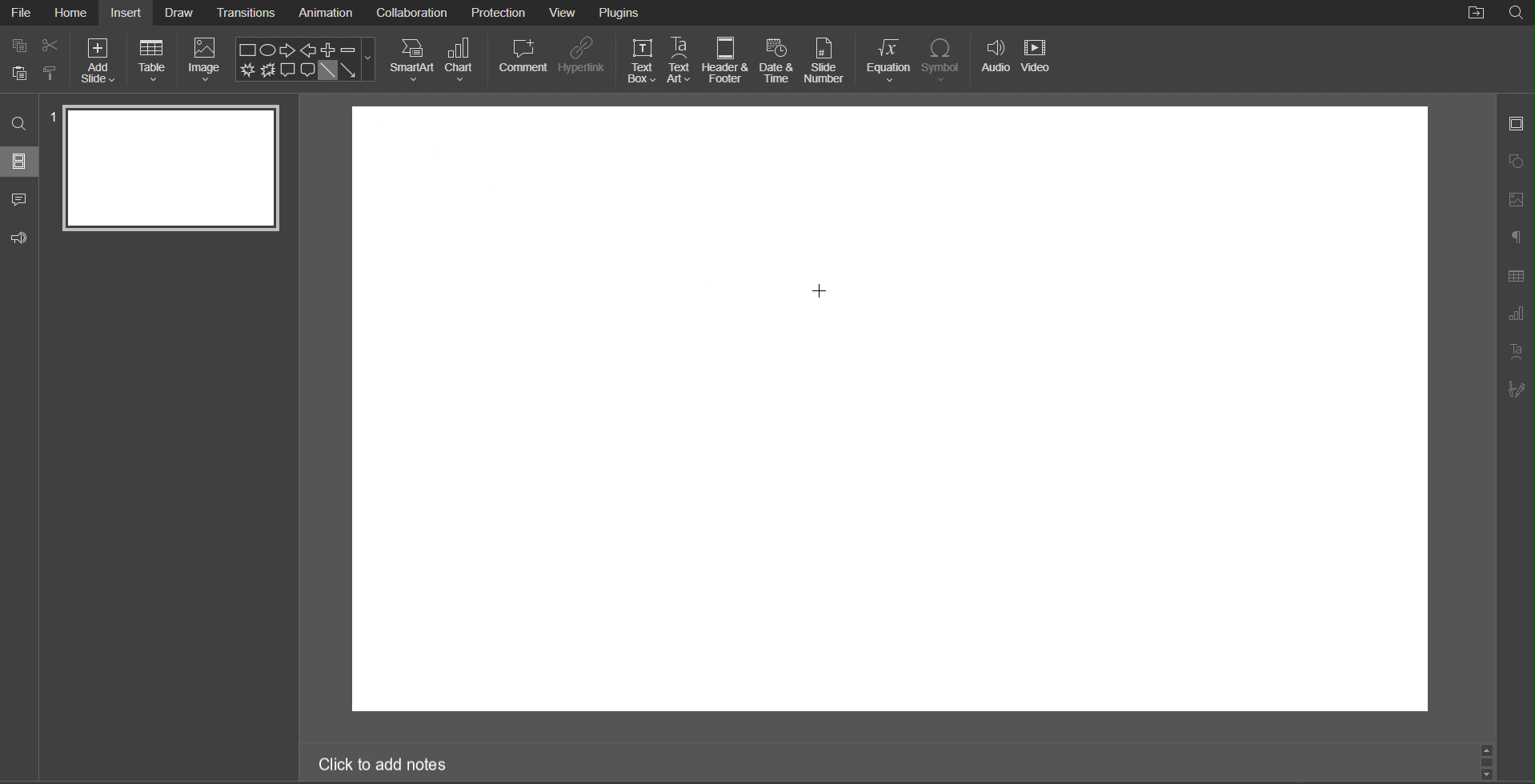 The width and height of the screenshot is (1535, 784). I want to click on Audio, so click(998, 59).